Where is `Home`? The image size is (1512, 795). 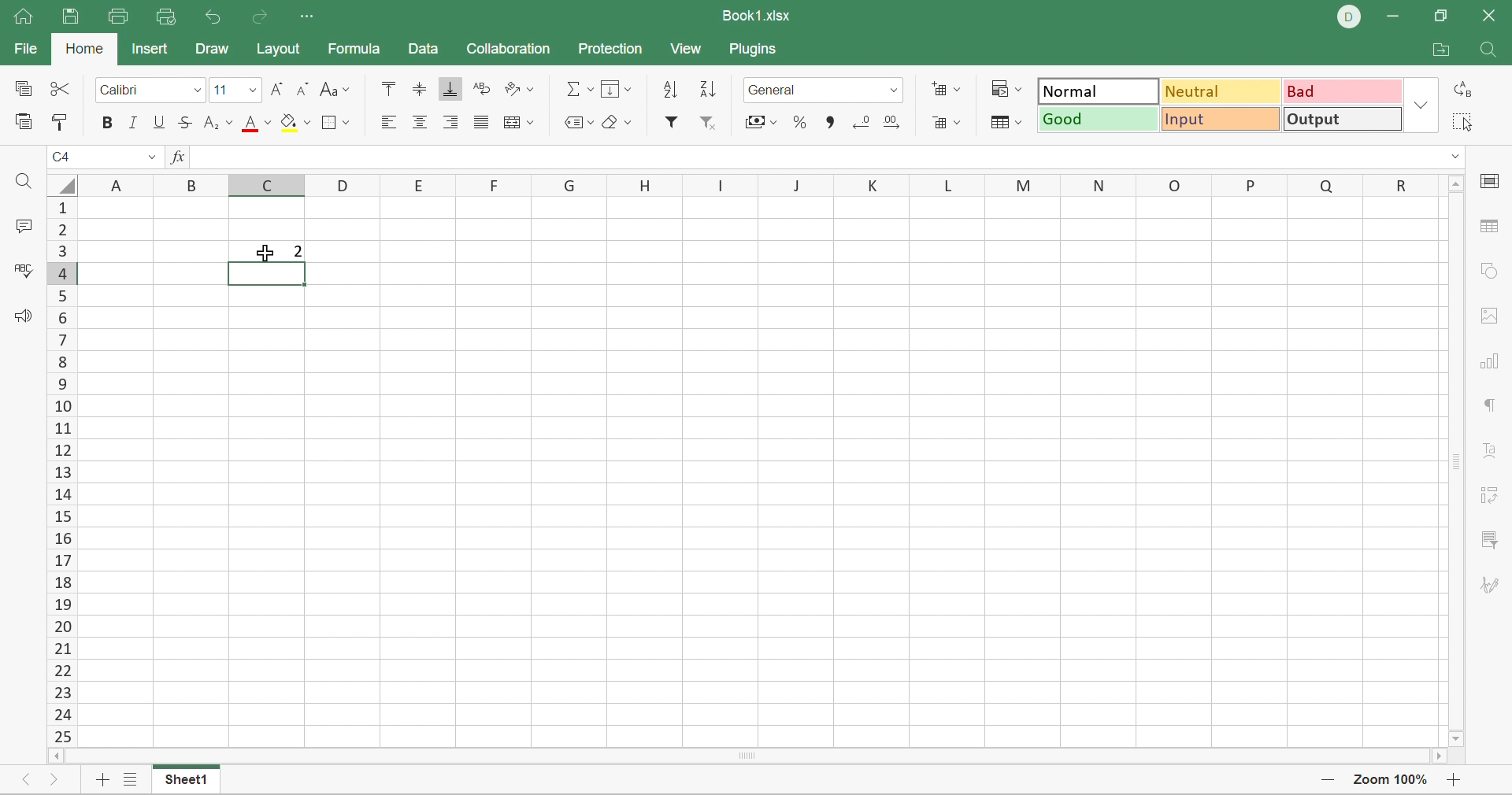
Home is located at coordinates (83, 48).